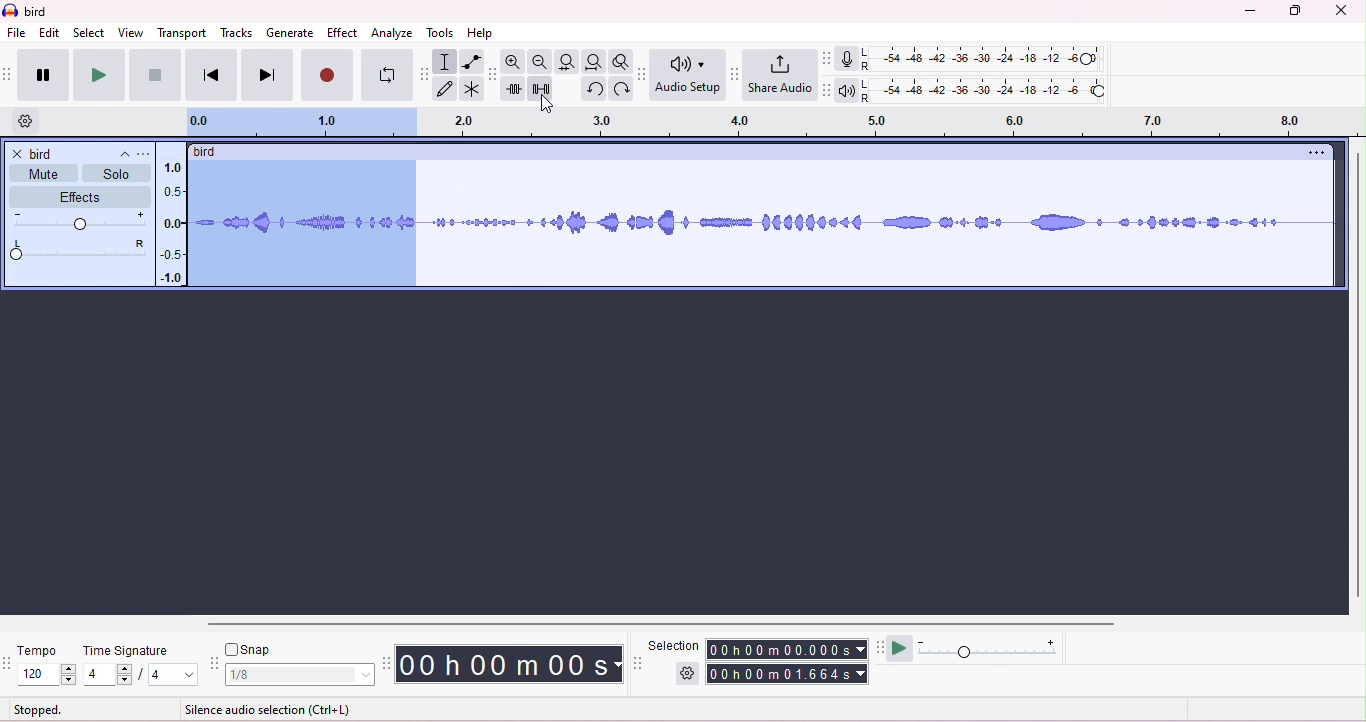 Image resolution: width=1366 pixels, height=722 pixels. Describe the element at coordinates (210, 76) in the screenshot. I see `previous` at that location.